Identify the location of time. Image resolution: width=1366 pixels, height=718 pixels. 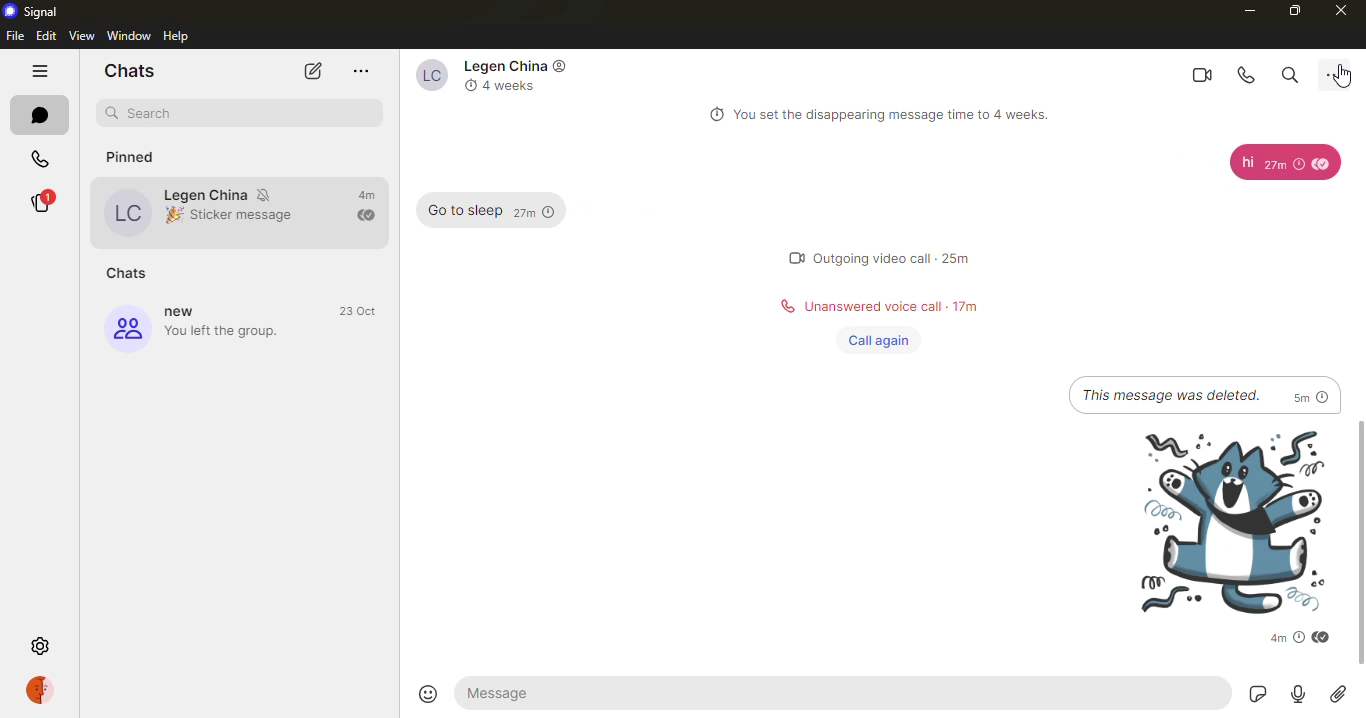
(366, 195).